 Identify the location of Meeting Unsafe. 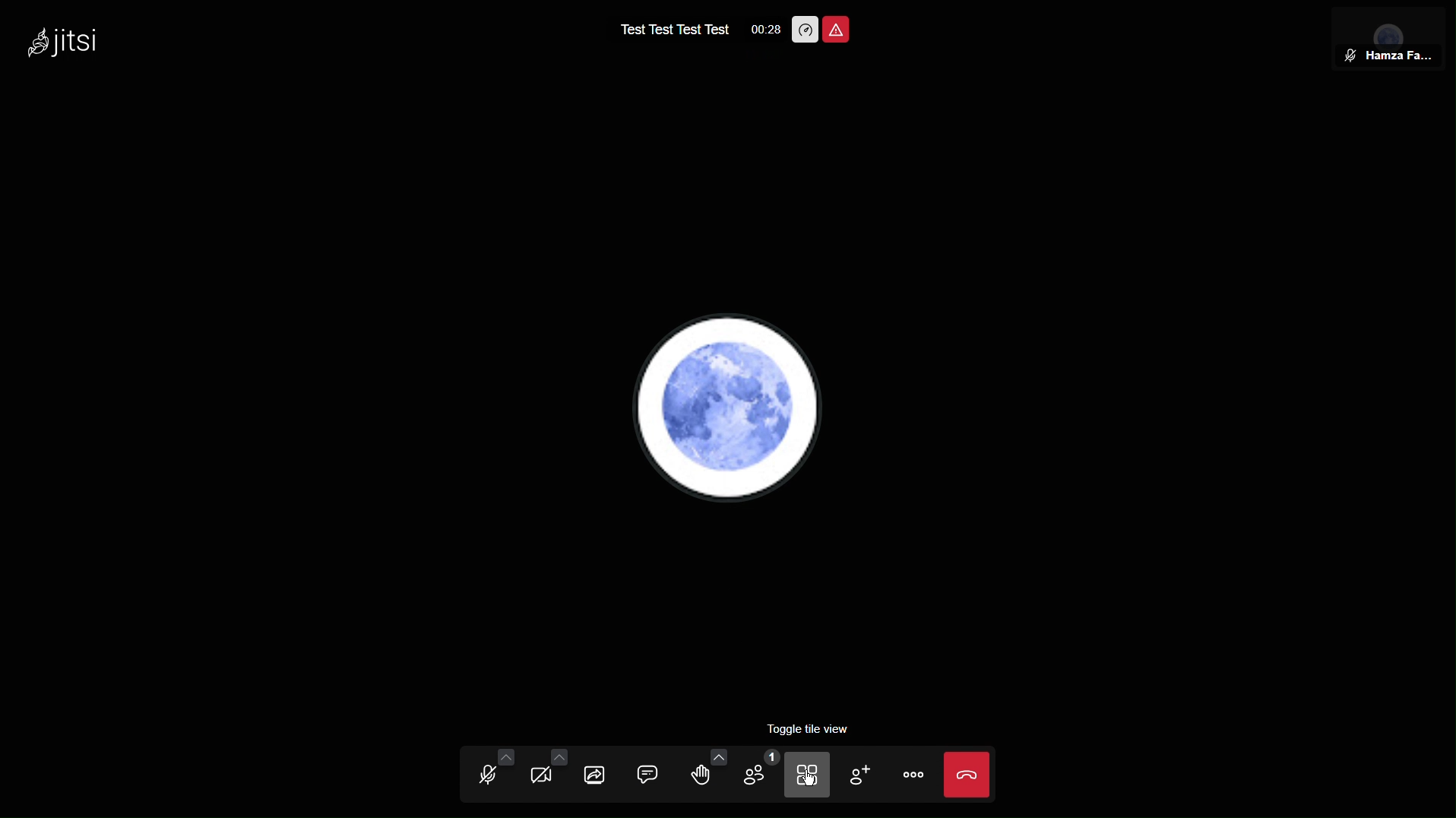
(840, 29).